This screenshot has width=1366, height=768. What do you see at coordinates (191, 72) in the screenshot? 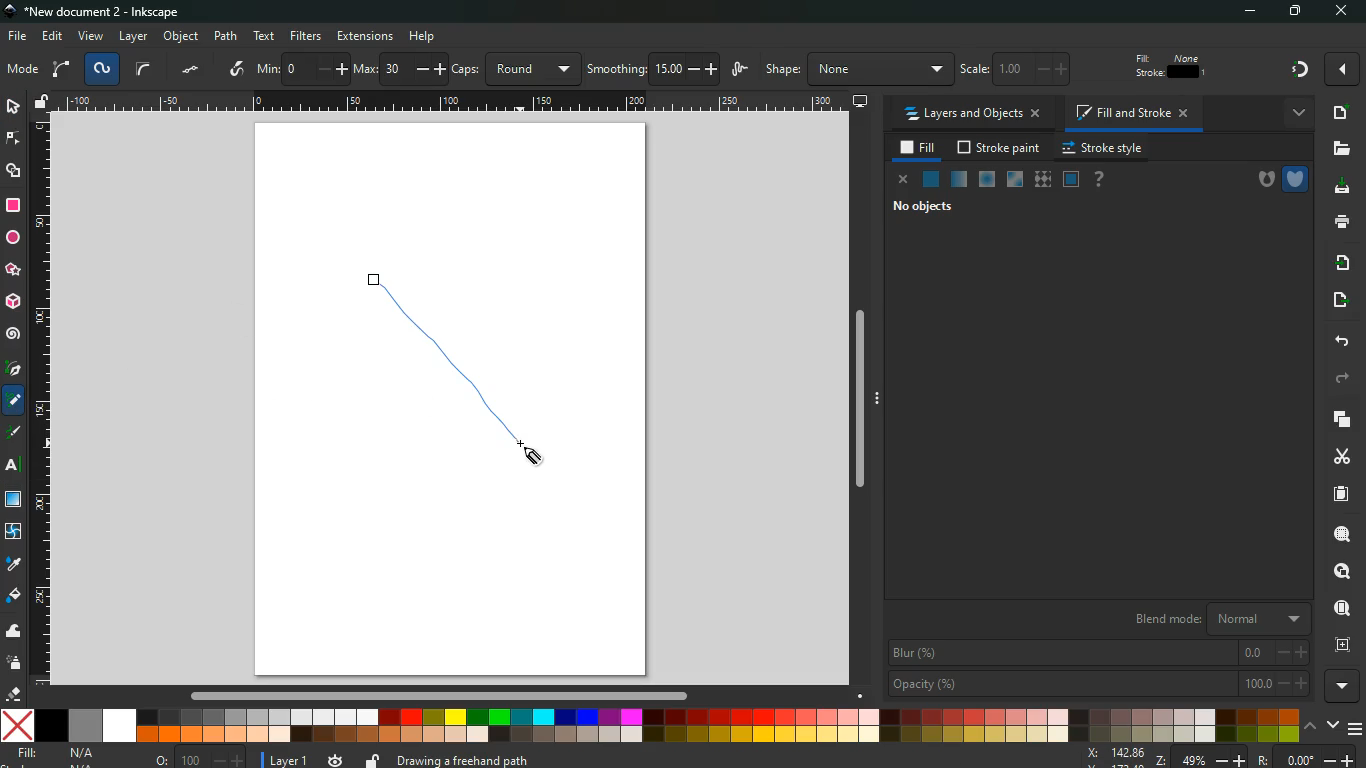
I see `dots` at bounding box center [191, 72].